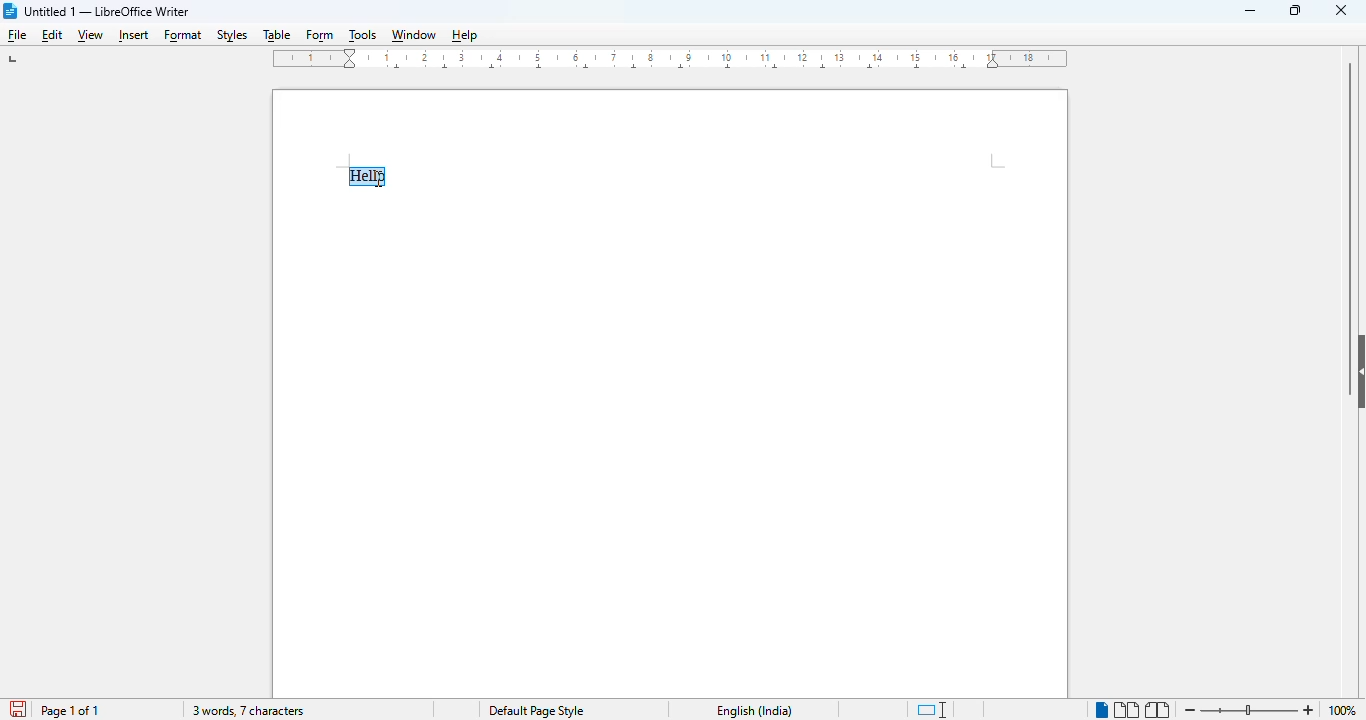 The width and height of the screenshot is (1366, 720). I want to click on edit, so click(53, 35).